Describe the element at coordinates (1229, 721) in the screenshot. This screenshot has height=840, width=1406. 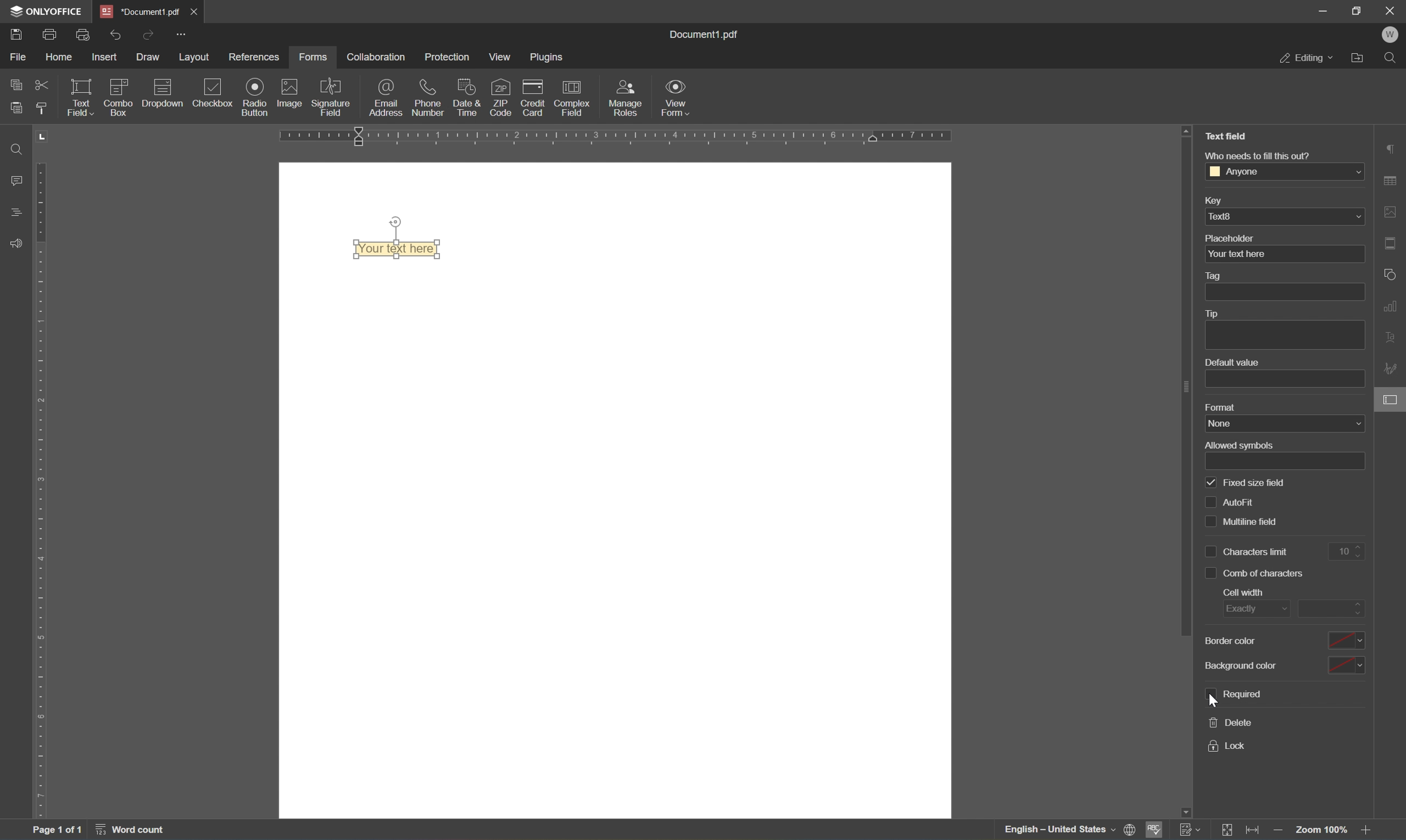
I see `delete` at that location.